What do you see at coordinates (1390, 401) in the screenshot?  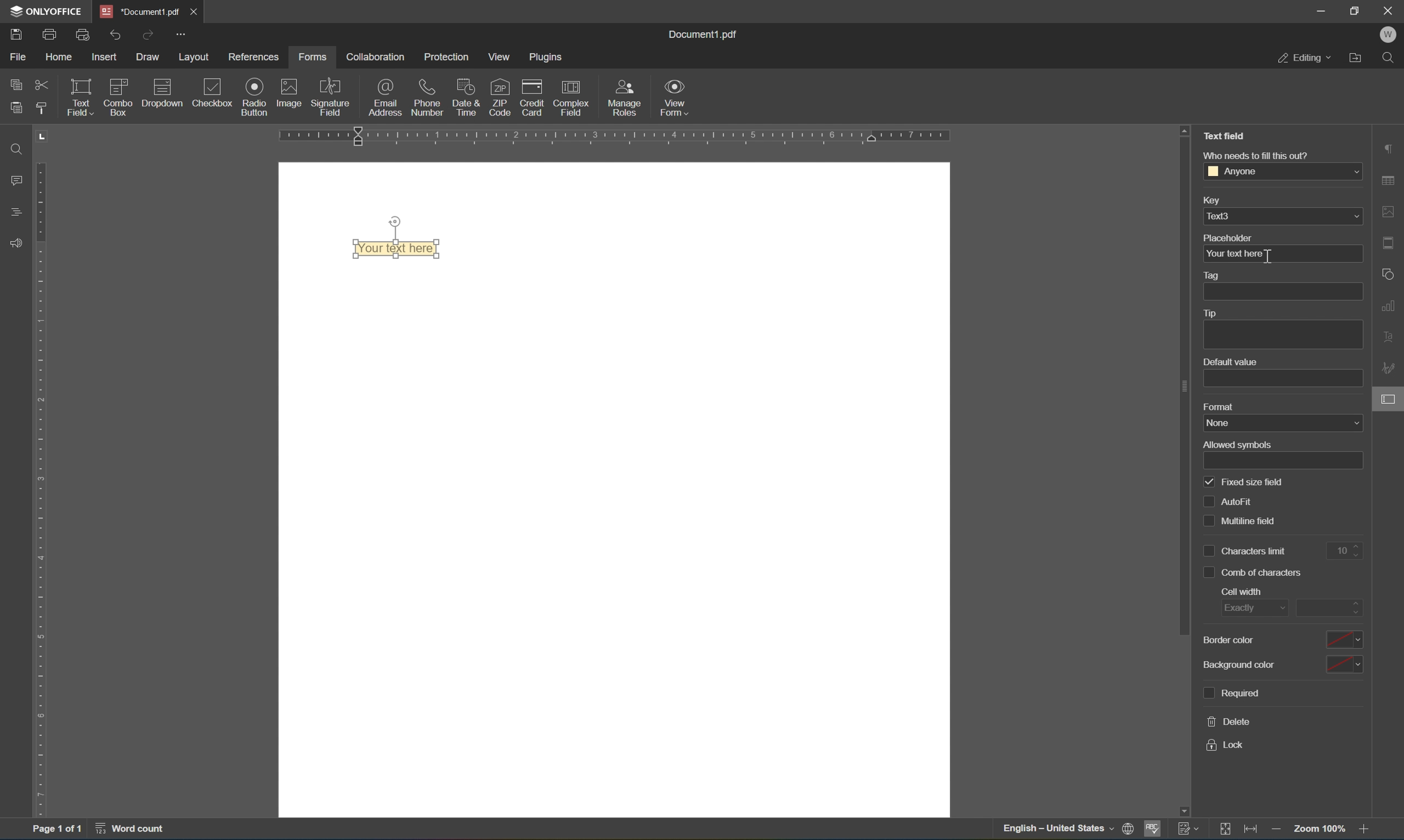 I see `cursor` at bounding box center [1390, 401].